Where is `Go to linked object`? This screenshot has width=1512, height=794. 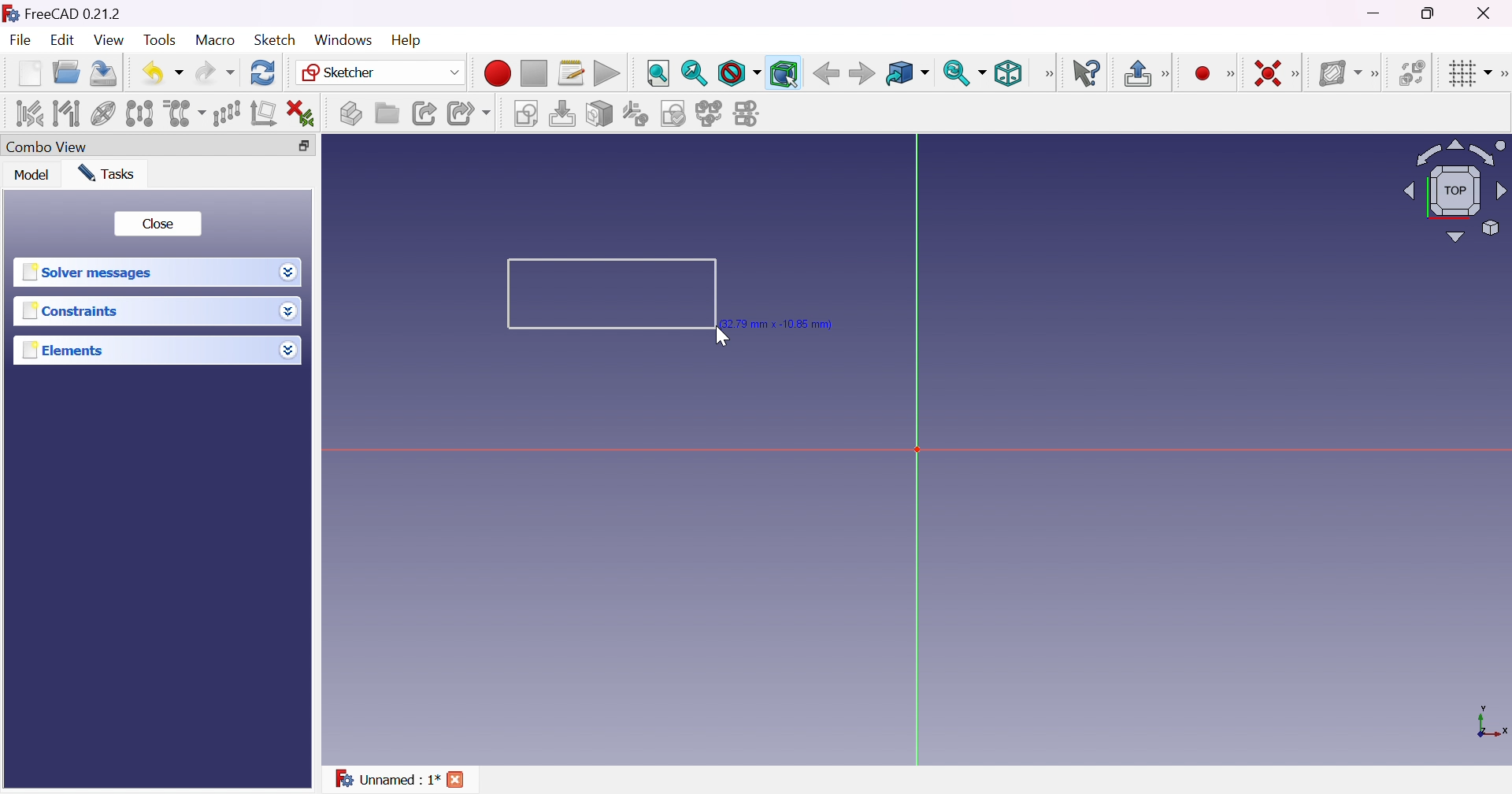
Go to linked object is located at coordinates (908, 72).